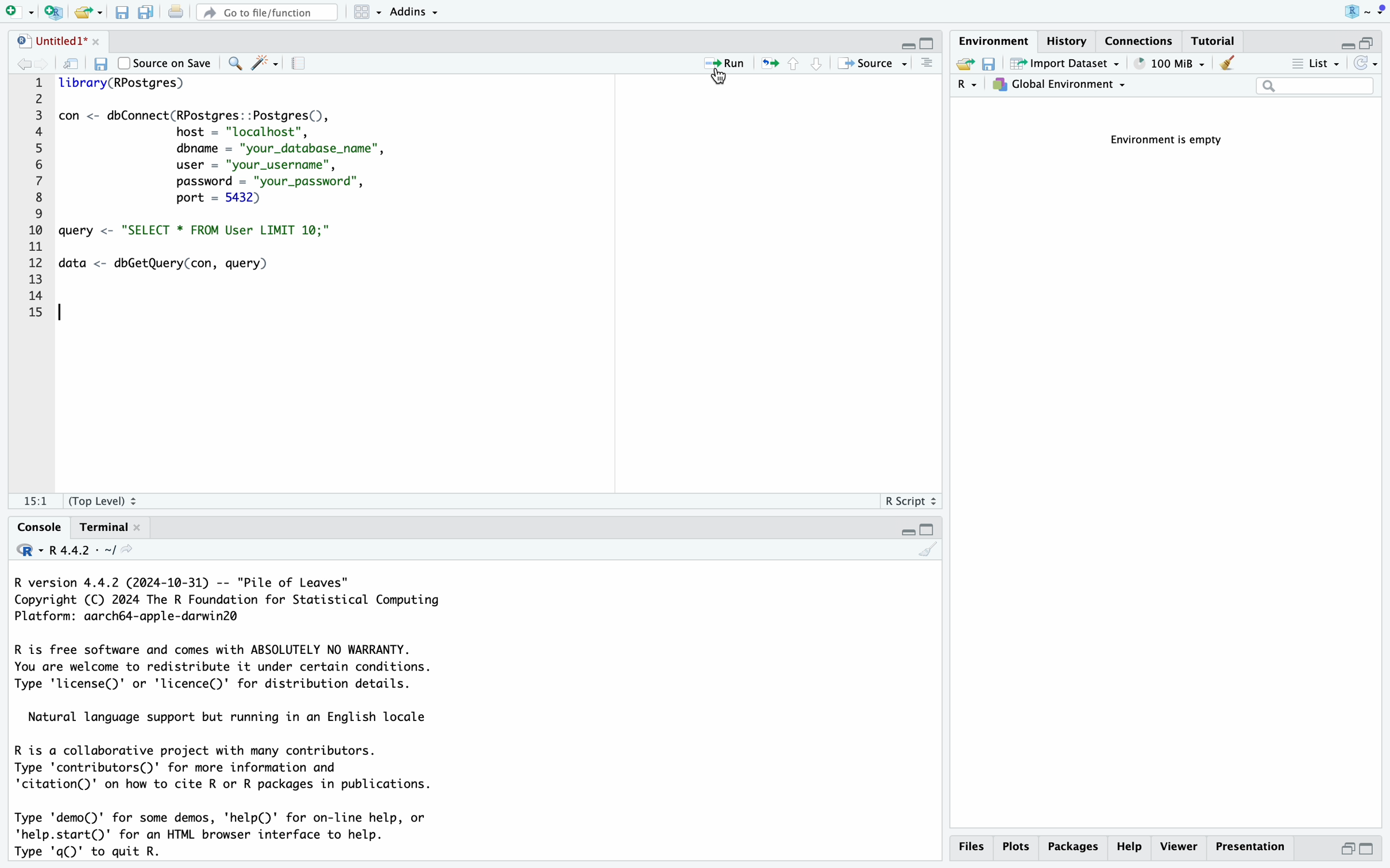 This screenshot has height=868, width=1390. What do you see at coordinates (727, 65) in the screenshot?
I see `run the current line or selection` at bounding box center [727, 65].